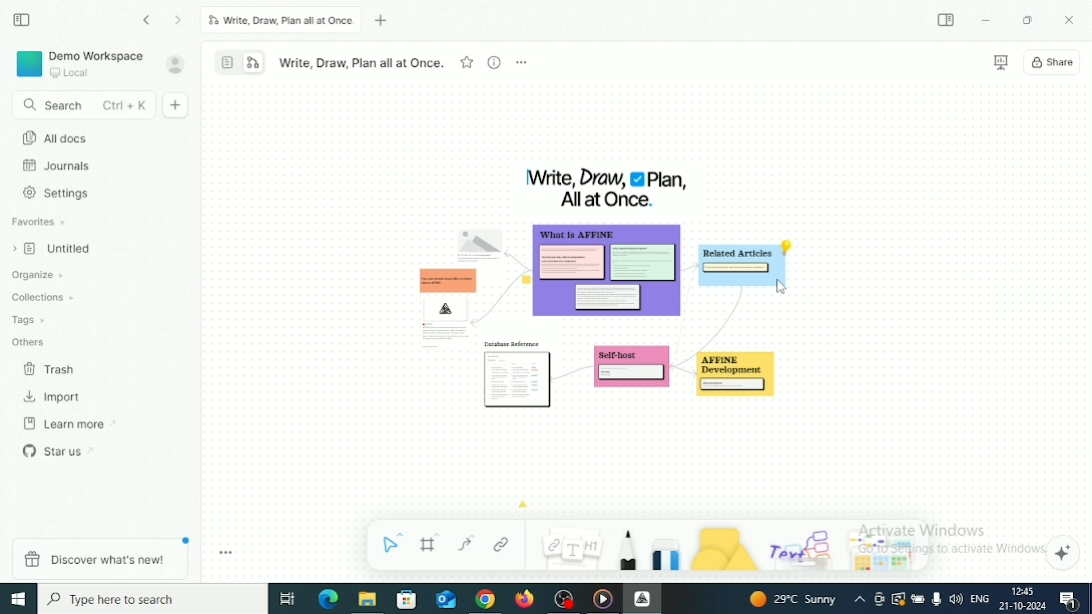  What do you see at coordinates (361, 63) in the screenshot?
I see `Write, Draw, Plan all at Once` at bounding box center [361, 63].